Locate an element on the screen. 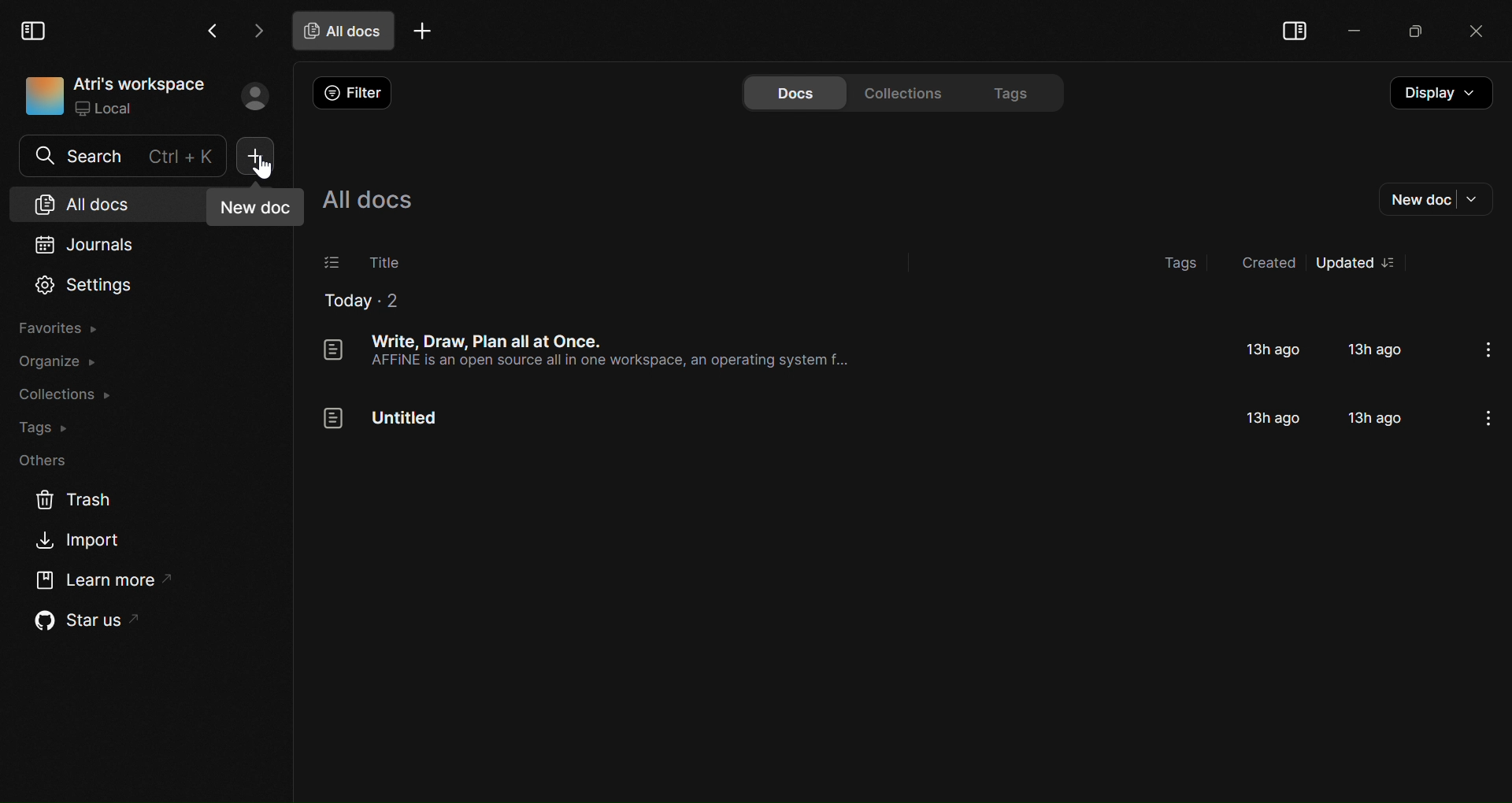 The height and width of the screenshot is (803, 1512). All docs is located at coordinates (344, 30).